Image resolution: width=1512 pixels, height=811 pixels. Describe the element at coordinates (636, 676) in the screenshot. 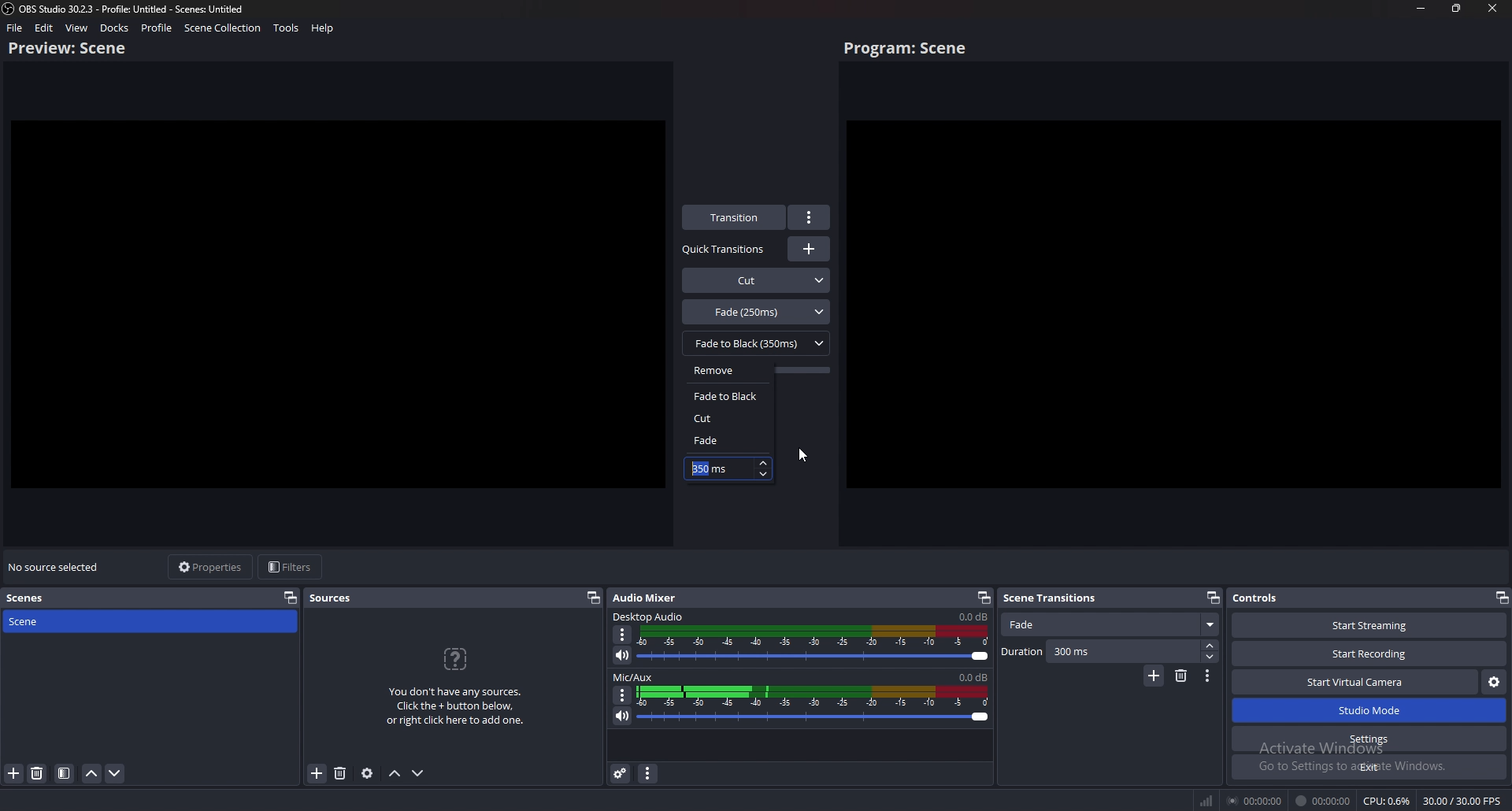

I see `mic/aux` at that location.